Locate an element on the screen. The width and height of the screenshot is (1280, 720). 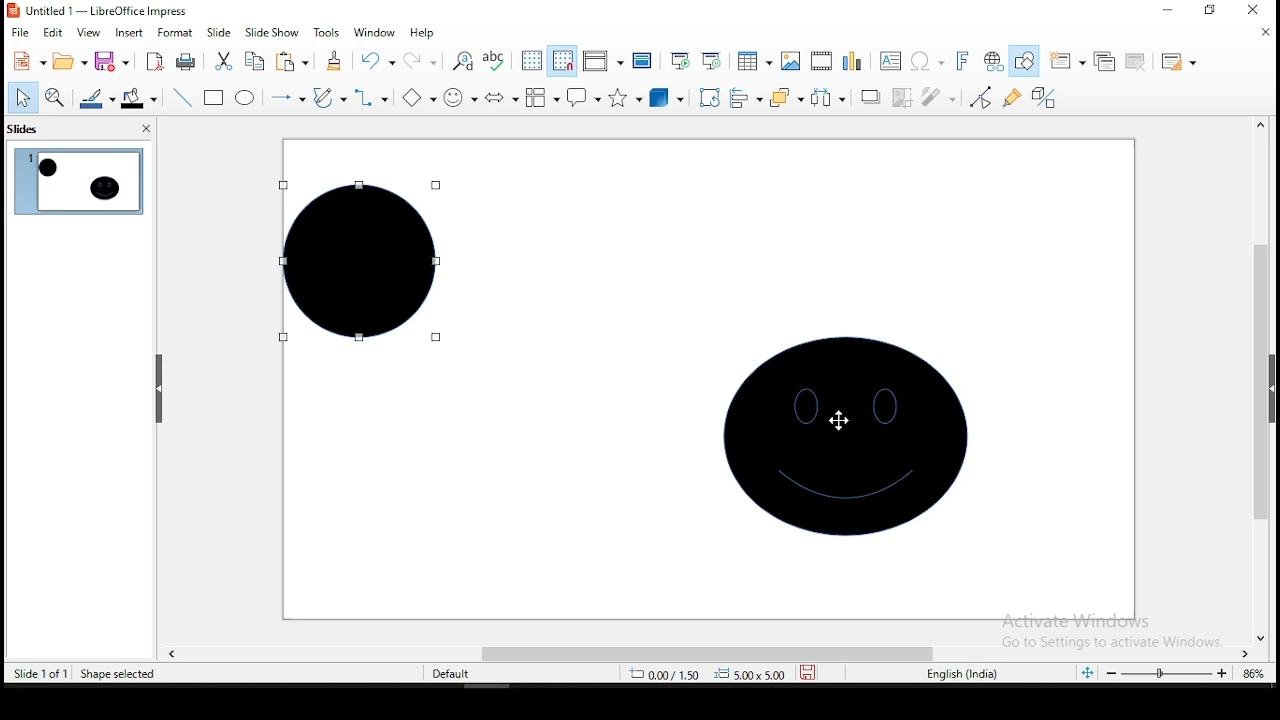
zoom level is located at coordinates (1251, 673).